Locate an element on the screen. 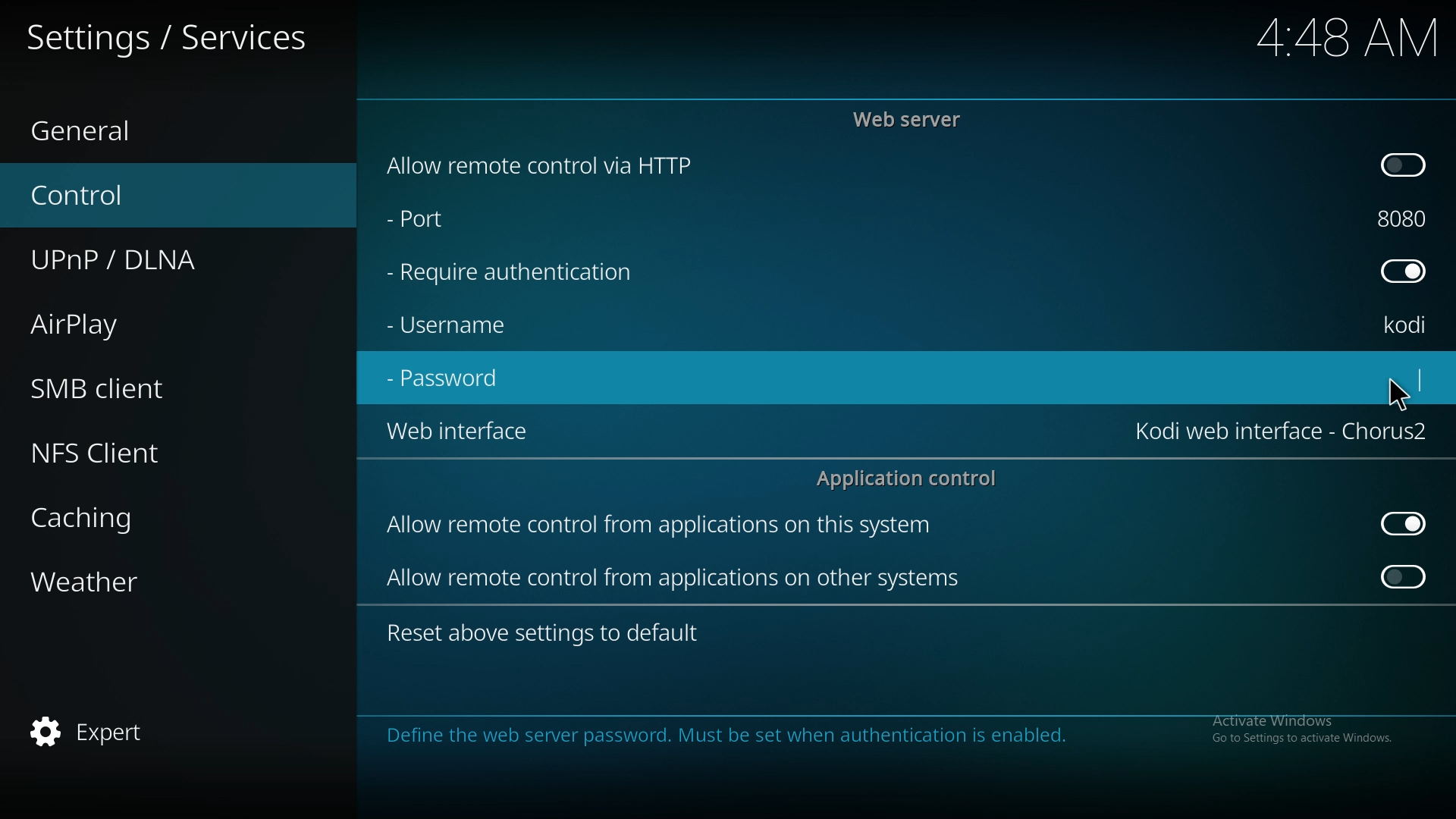 The height and width of the screenshot is (819, 1456). web interface is located at coordinates (457, 434).